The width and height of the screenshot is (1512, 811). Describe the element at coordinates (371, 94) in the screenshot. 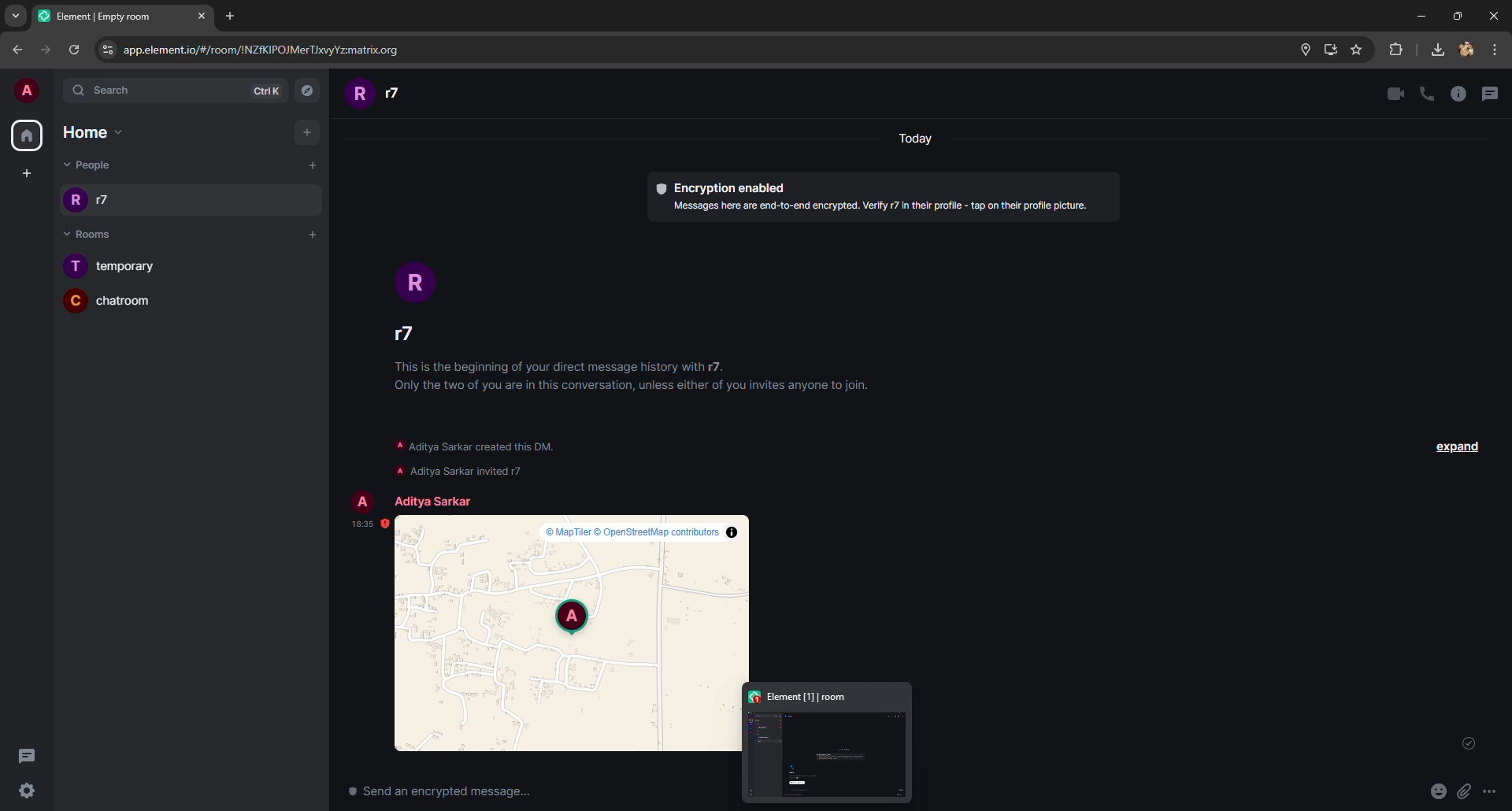

I see `account` at that location.